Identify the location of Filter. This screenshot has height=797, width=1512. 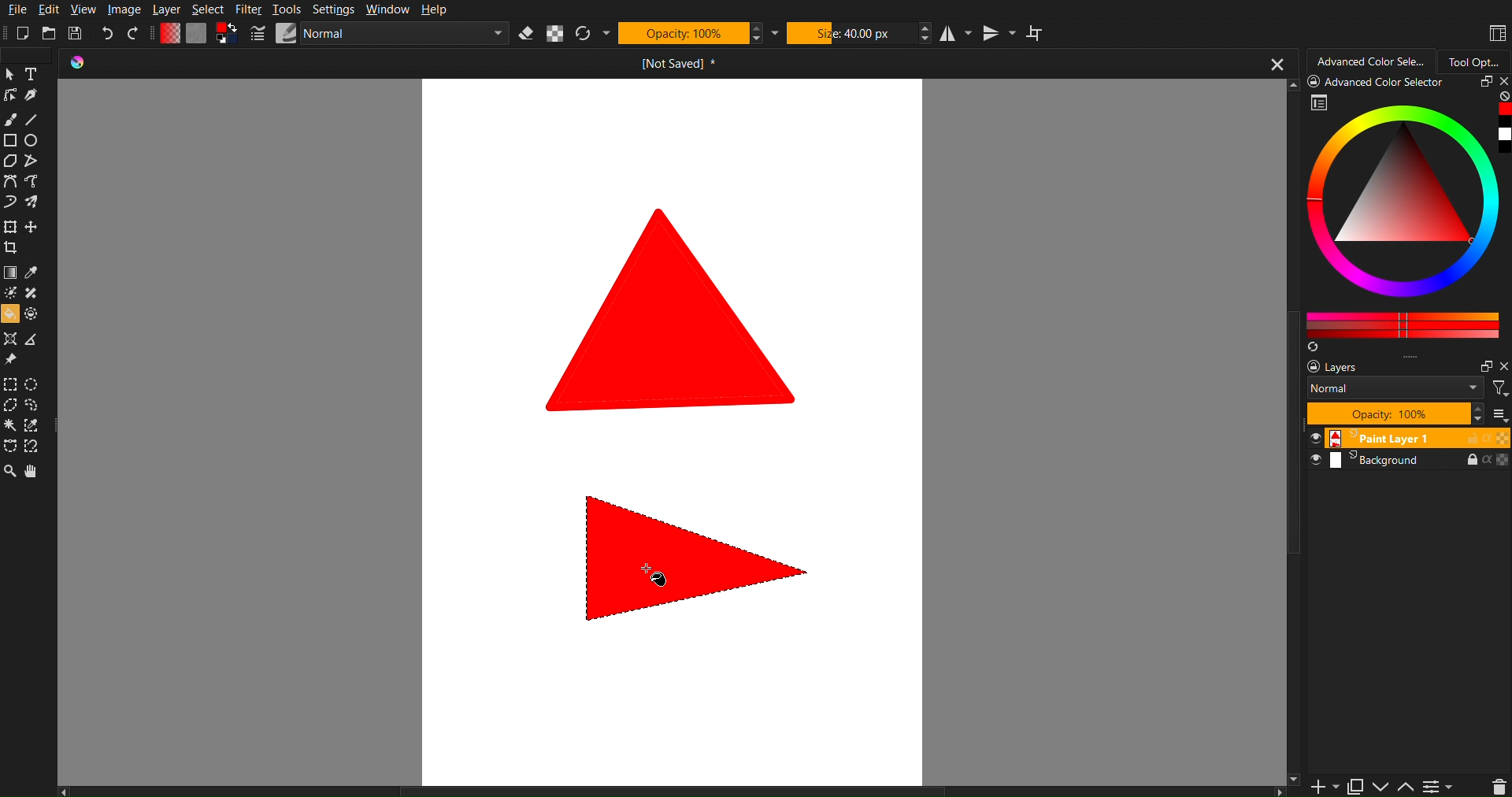
(248, 9).